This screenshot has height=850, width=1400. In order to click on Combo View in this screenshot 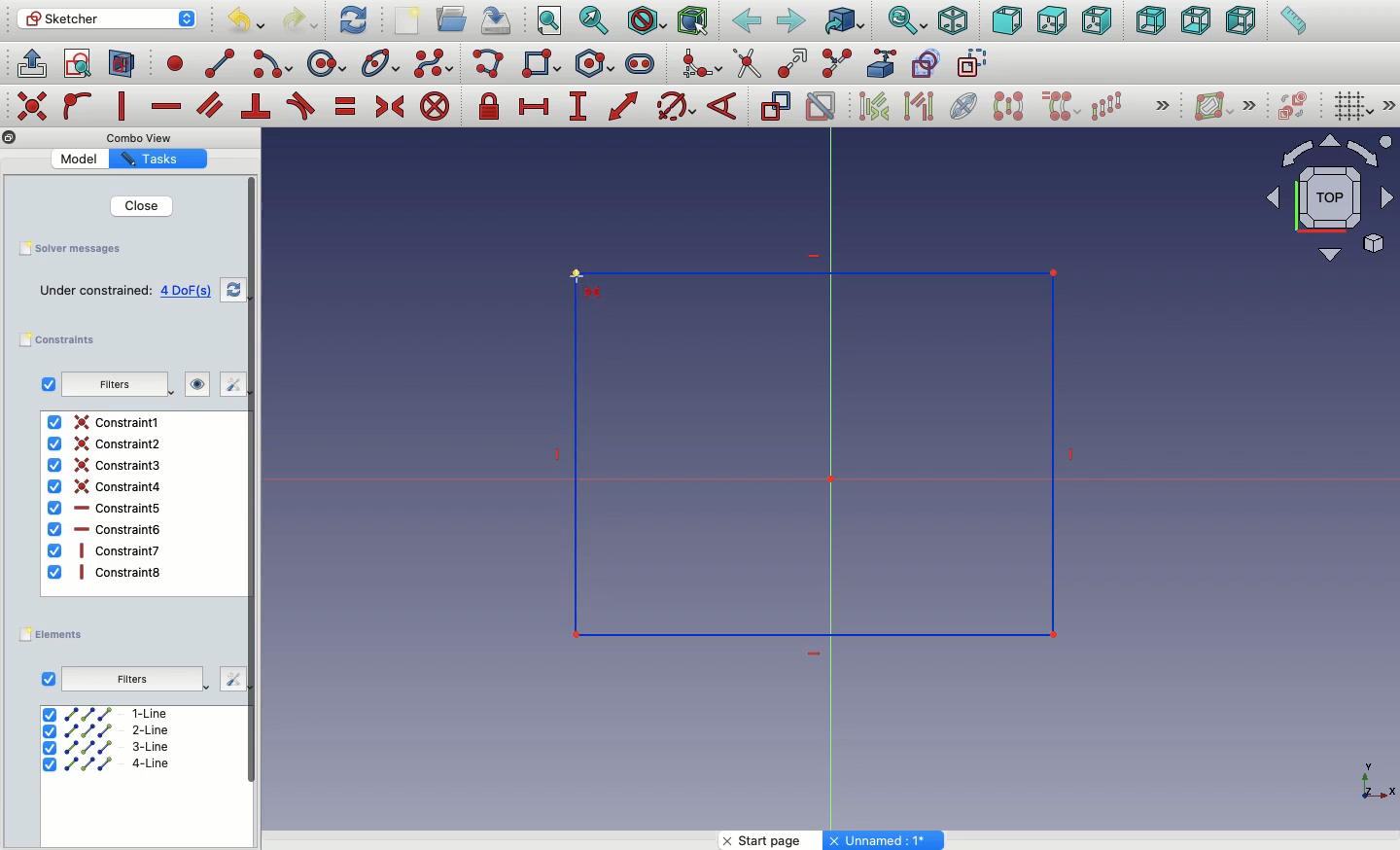, I will do `click(140, 137)`.